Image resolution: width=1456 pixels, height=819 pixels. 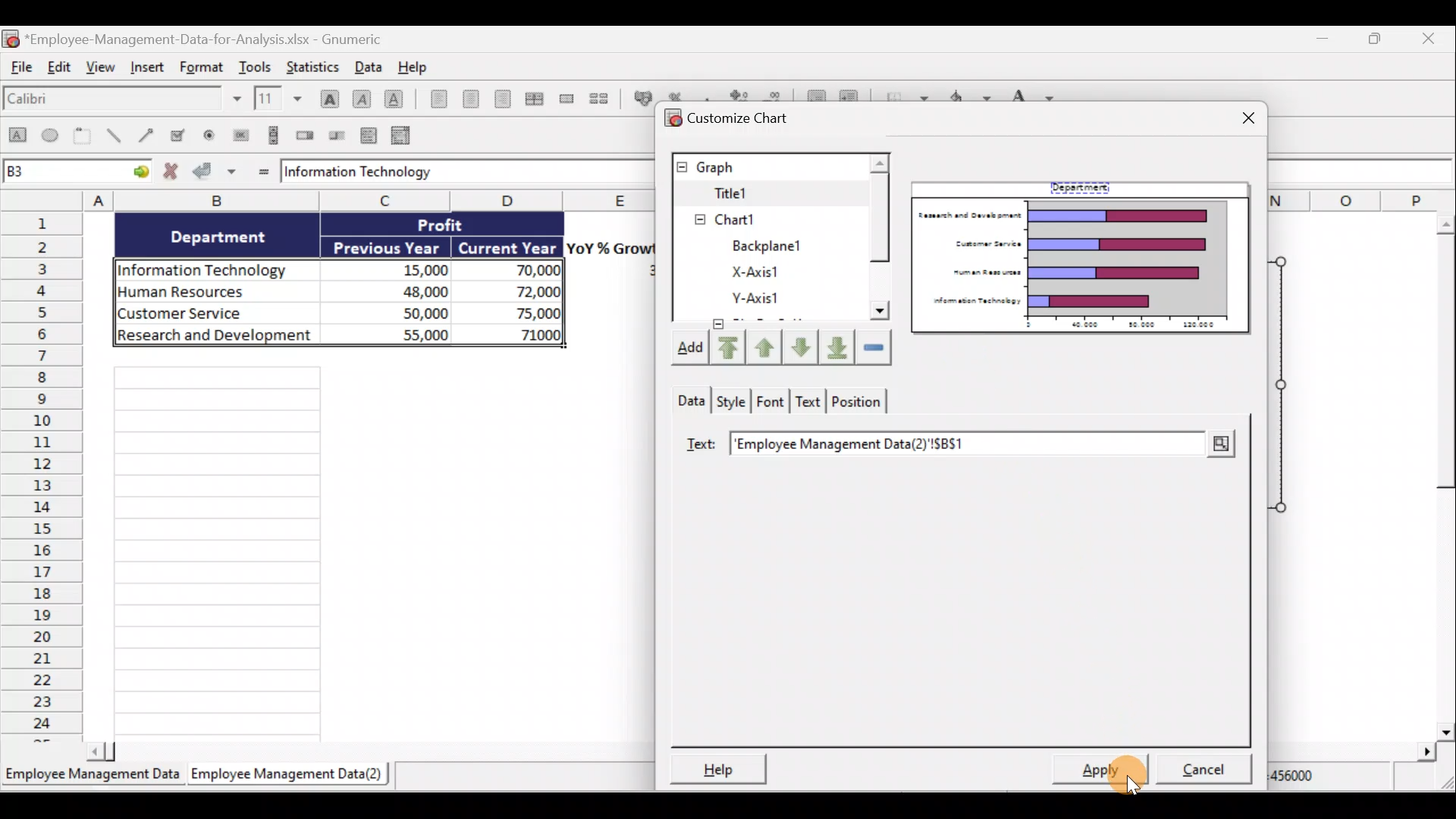 I want to click on Close, so click(x=1438, y=38).